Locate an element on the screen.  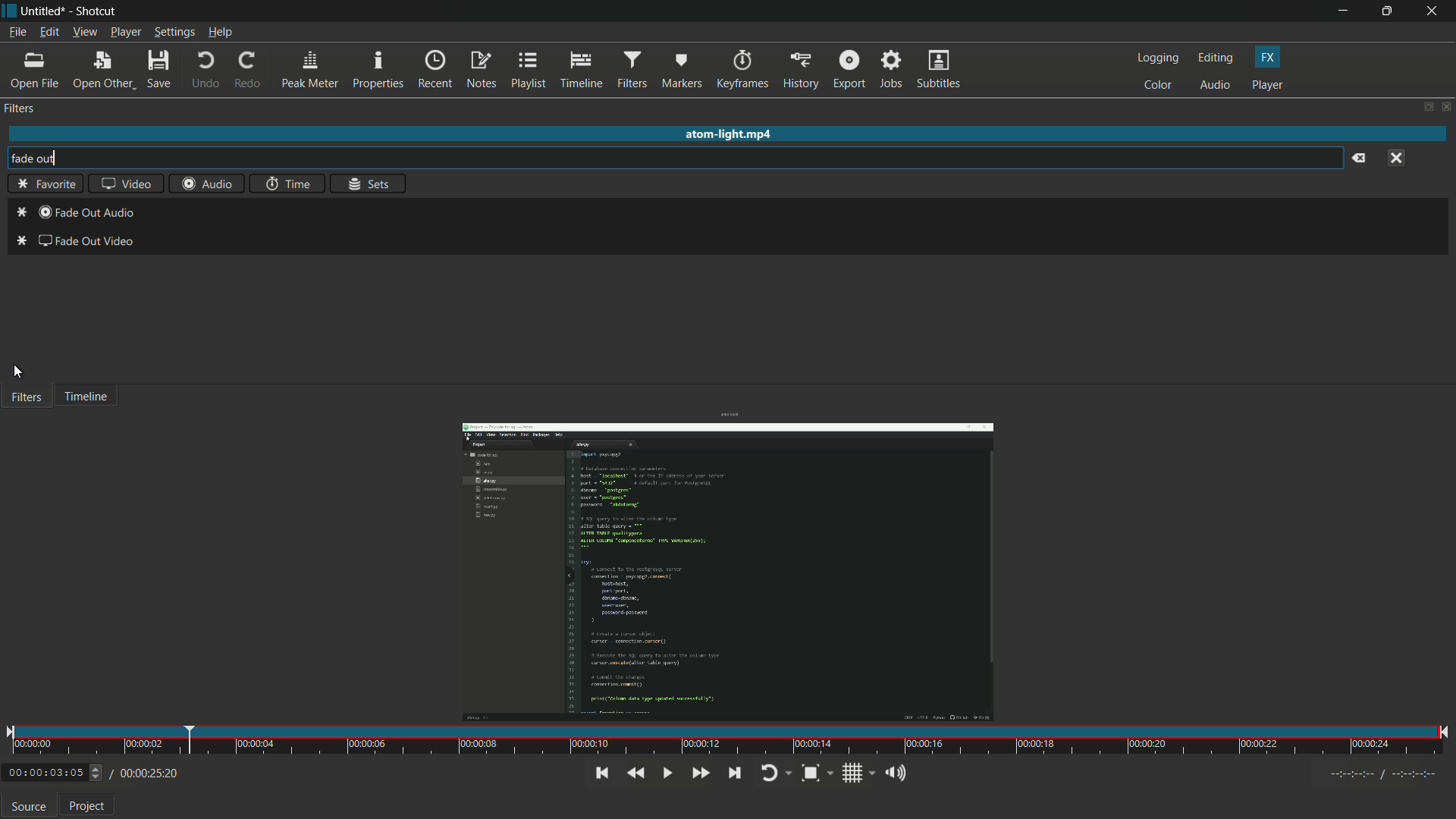
file menu is located at coordinates (17, 32).